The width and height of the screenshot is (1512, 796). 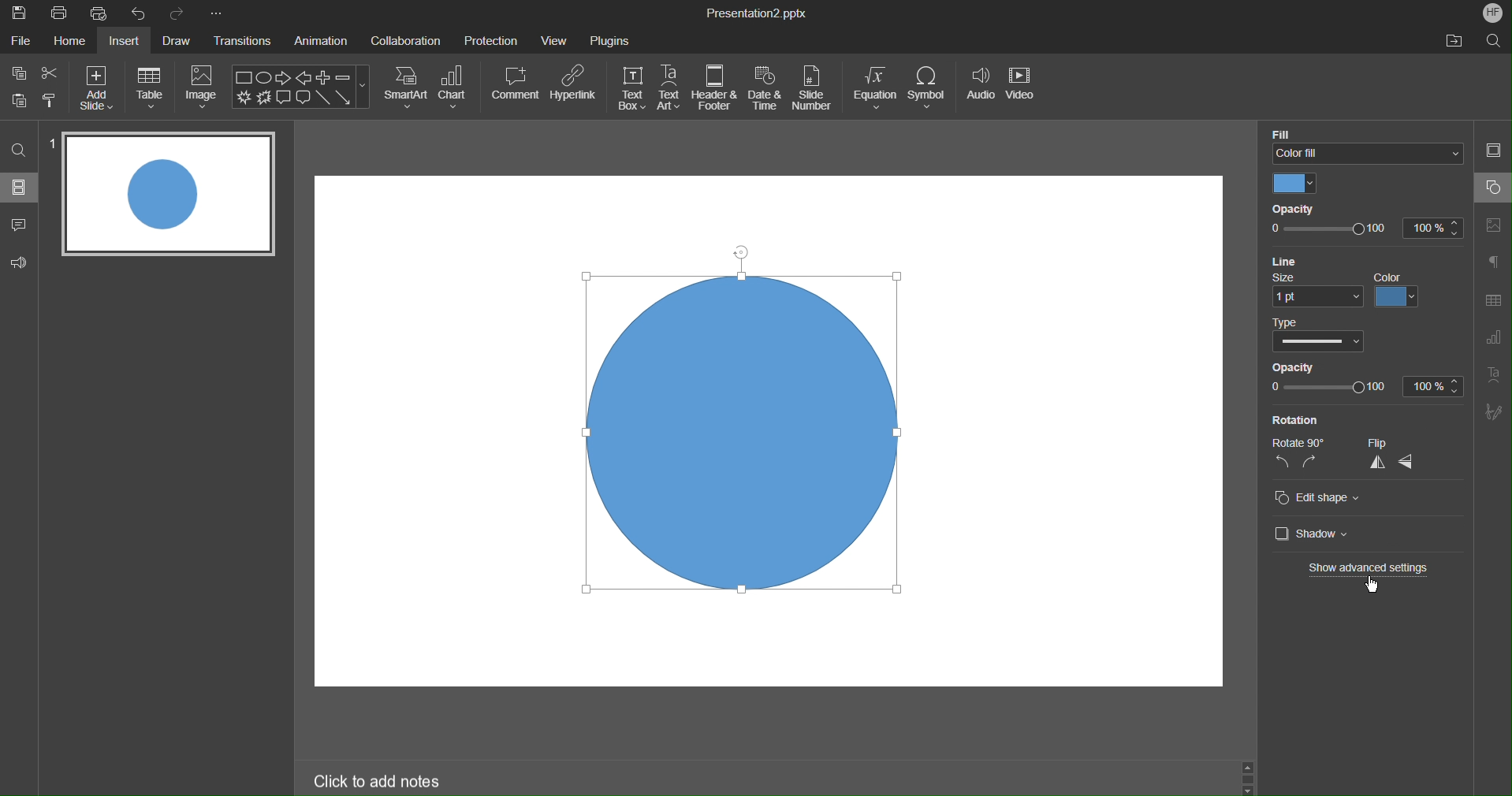 What do you see at coordinates (670, 88) in the screenshot?
I see `Text Art` at bounding box center [670, 88].